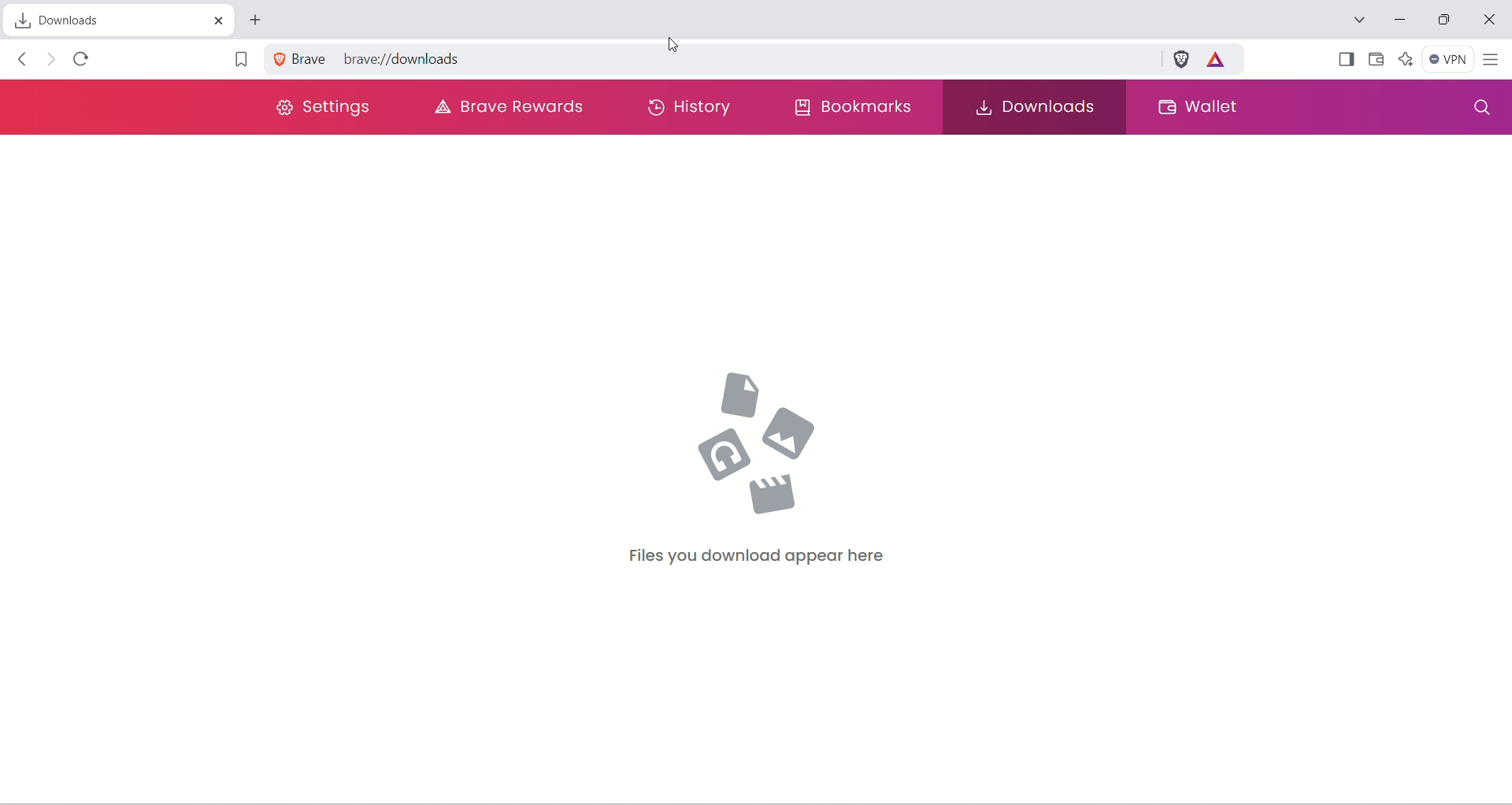 The image size is (1512, 805). What do you see at coordinates (1379, 61) in the screenshot?
I see `wallet` at bounding box center [1379, 61].